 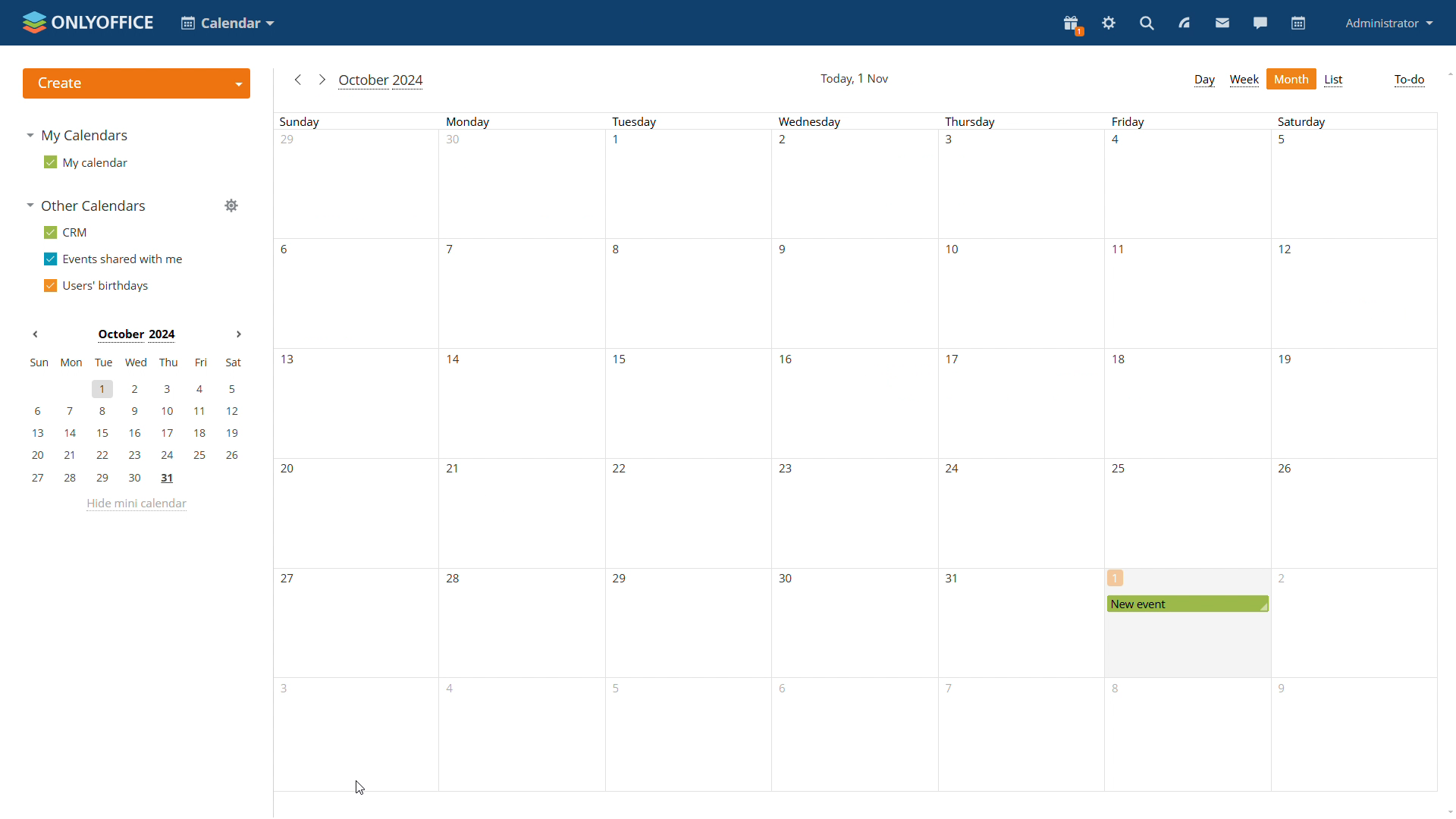 What do you see at coordinates (1262, 24) in the screenshot?
I see `talk` at bounding box center [1262, 24].